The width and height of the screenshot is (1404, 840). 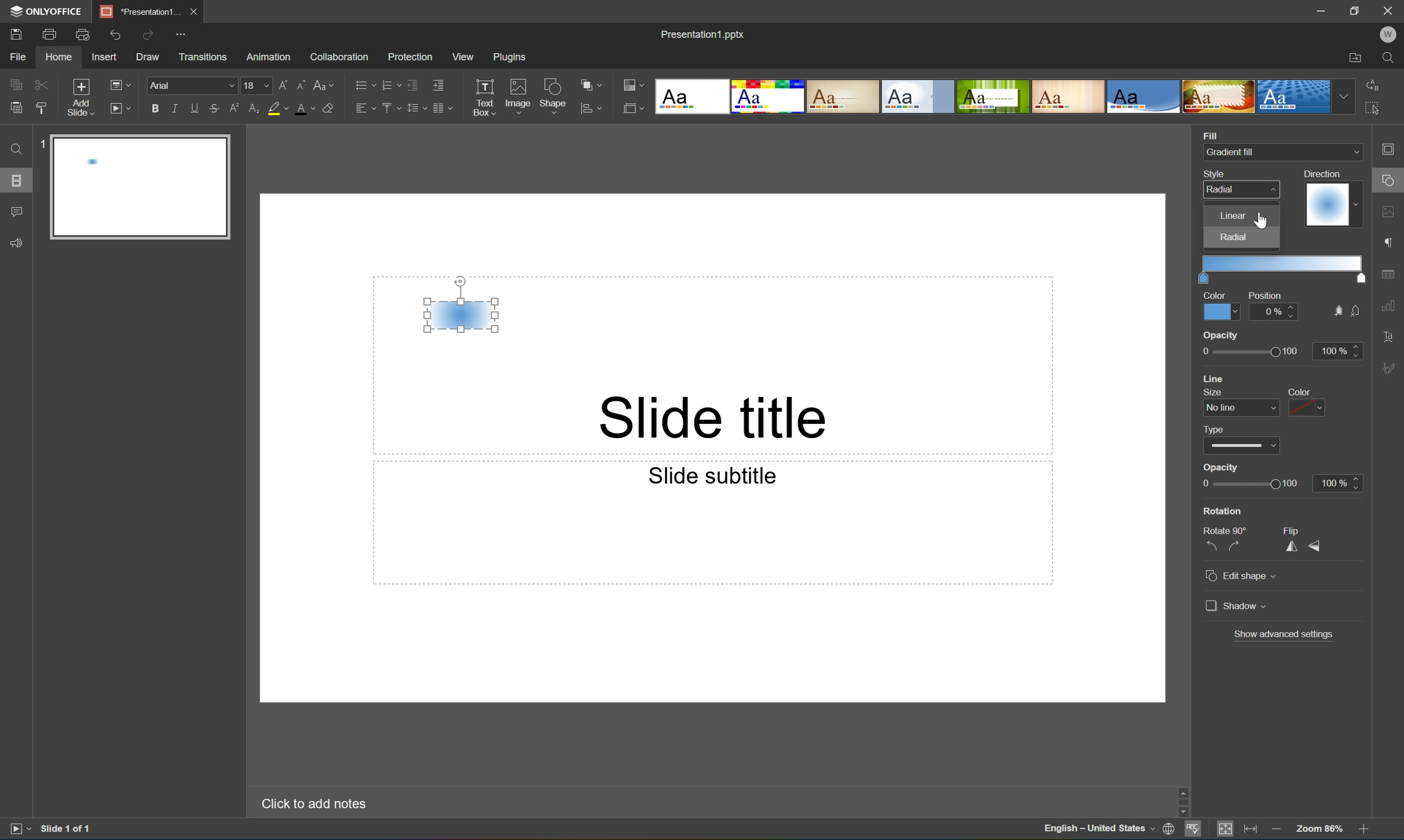 What do you see at coordinates (1222, 468) in the screenshot?
I see `Opacity` at bounding box center [1222, 468].